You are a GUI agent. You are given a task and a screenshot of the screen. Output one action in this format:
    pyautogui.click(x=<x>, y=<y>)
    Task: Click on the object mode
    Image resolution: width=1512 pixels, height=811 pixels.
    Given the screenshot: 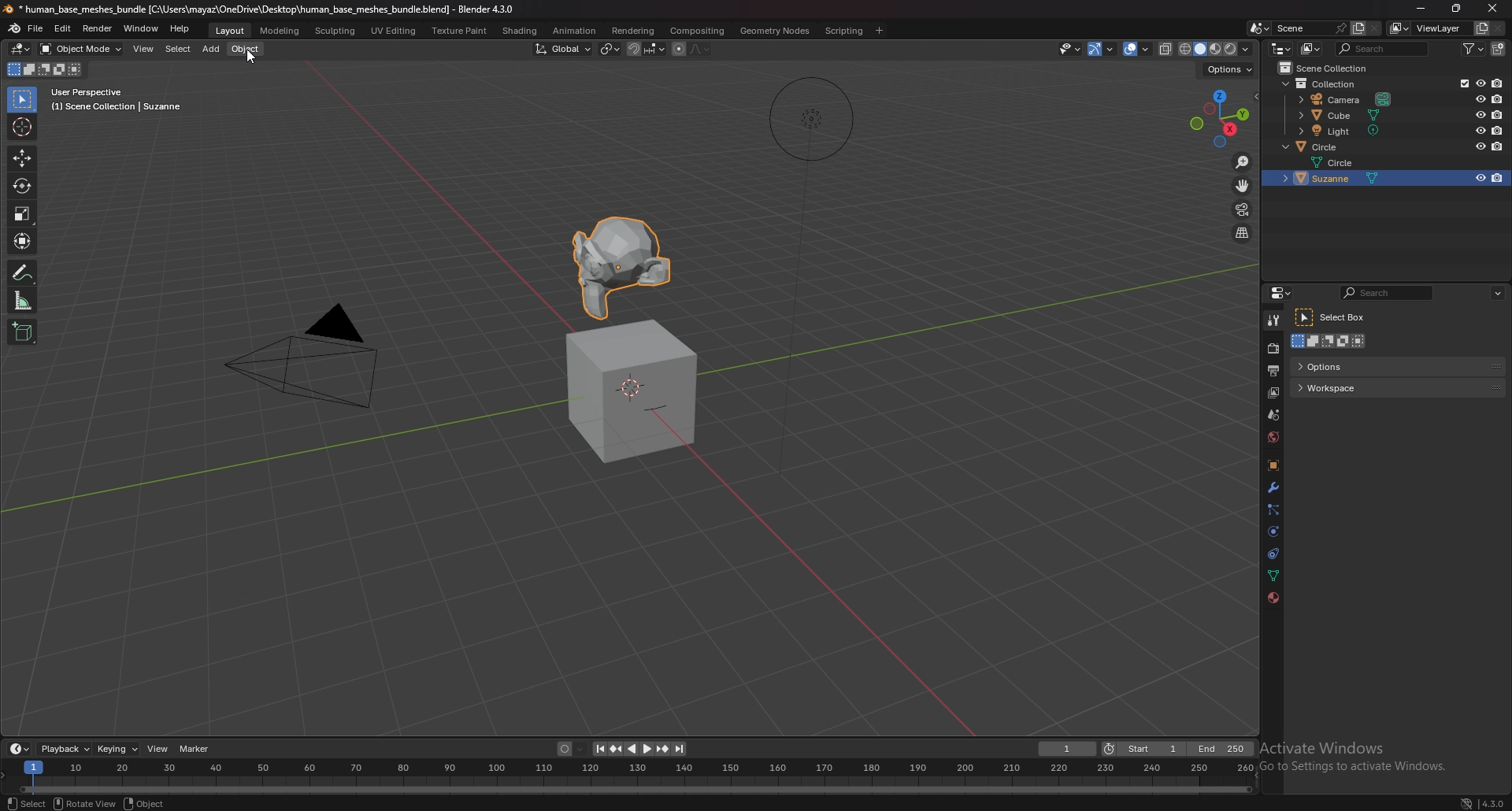 What is the action you would take?
    pyautogui.click(x=81, y=49)
    